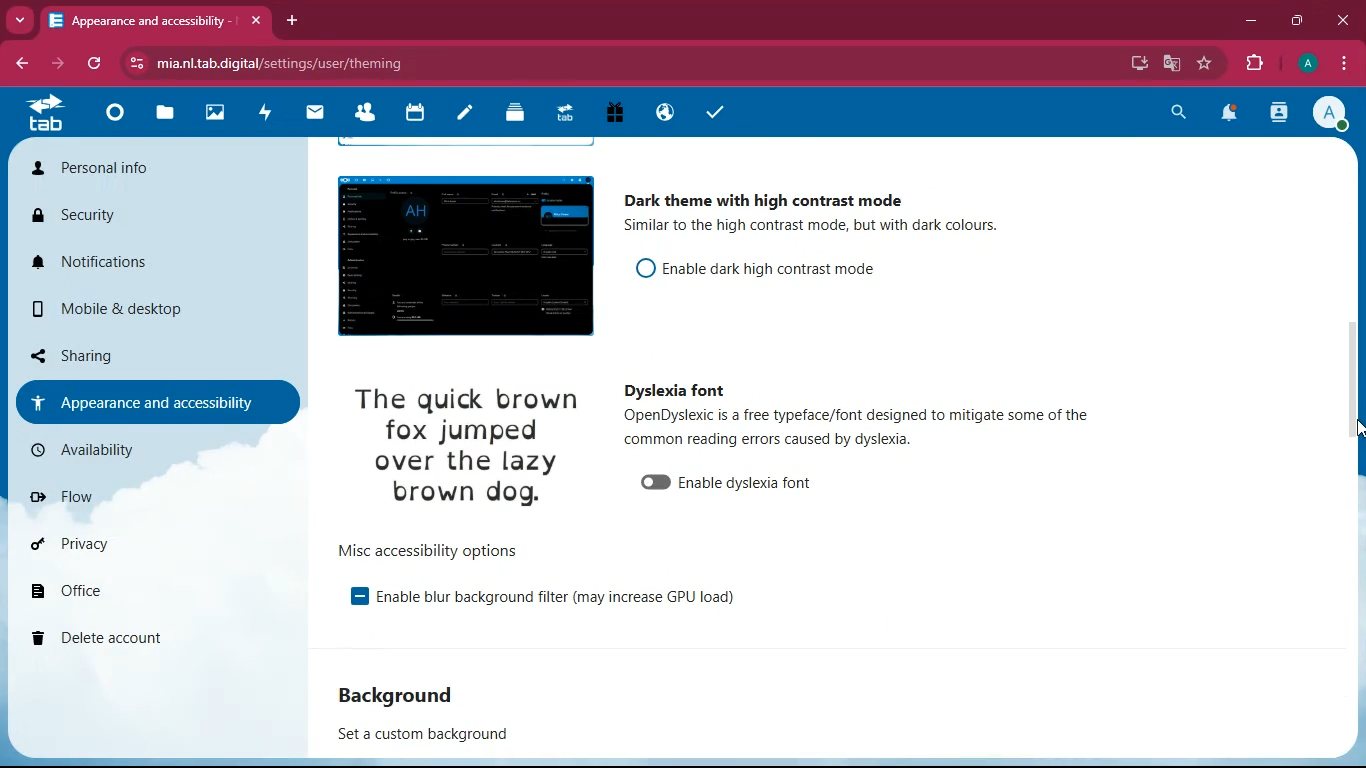  What do you see at coordinates (638, 268) in the screenshot?
I see `off` at bounding box center [638, 268].